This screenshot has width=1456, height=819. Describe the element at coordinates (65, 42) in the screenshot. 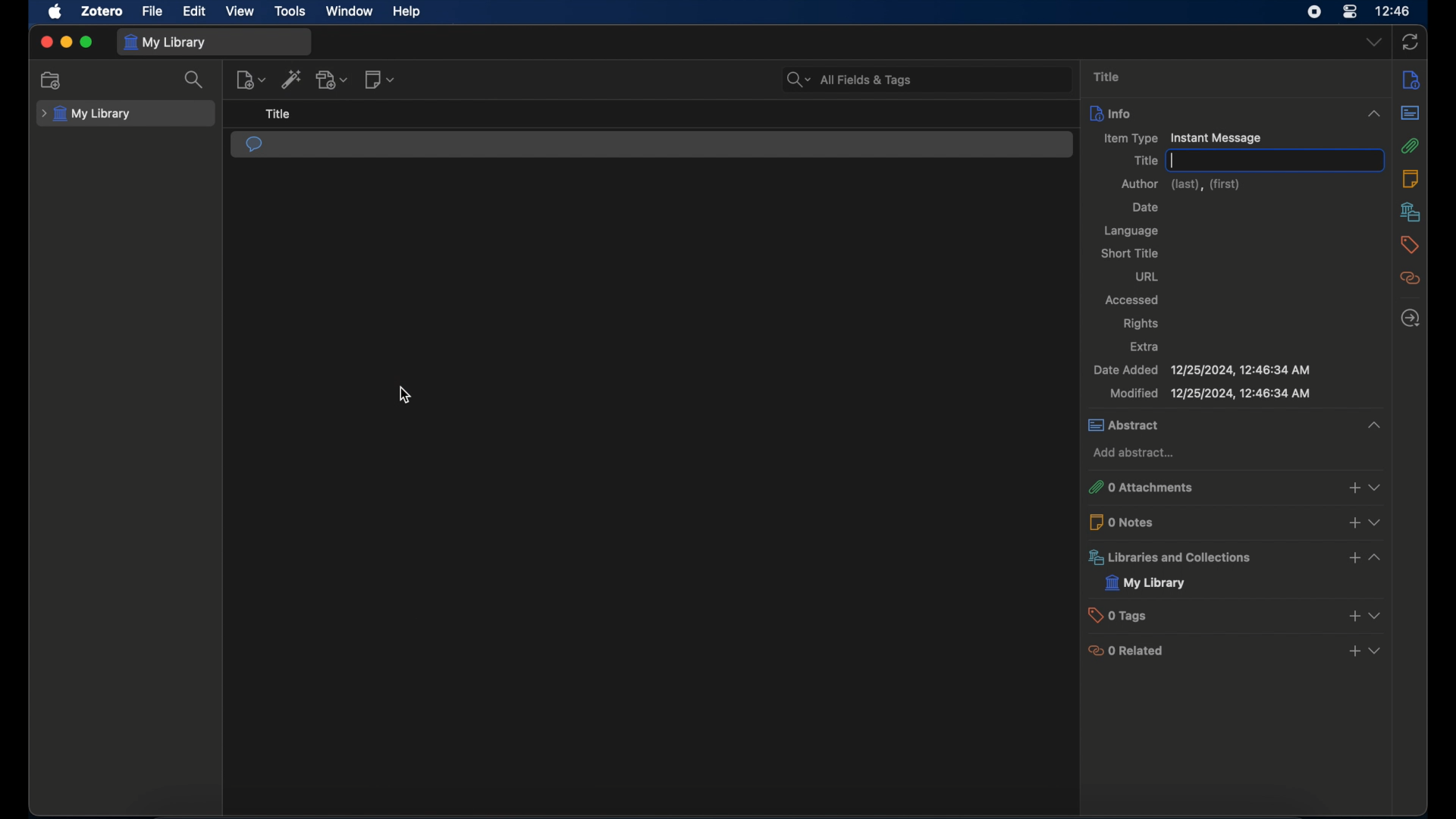

I see `minimize` at that location.